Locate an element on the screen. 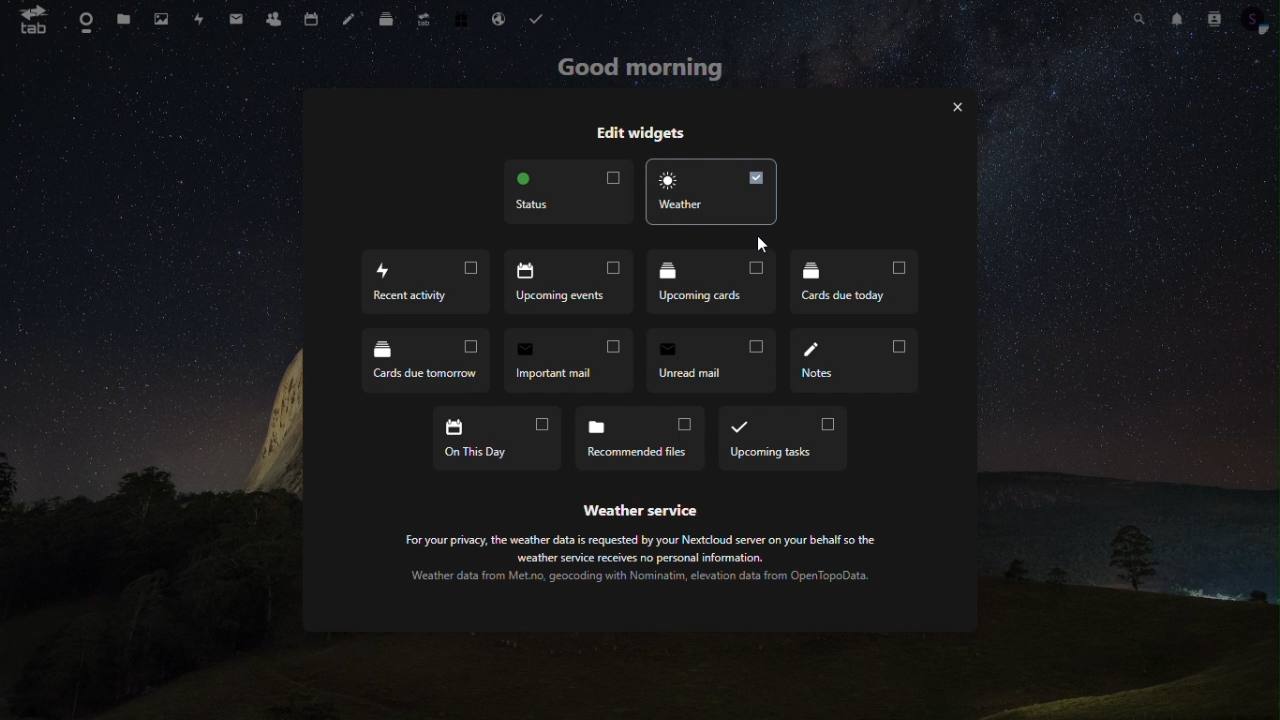 The width and height of the screenshot is (1280, 720). cards due tomarrow is located at coordinates (432, 359).